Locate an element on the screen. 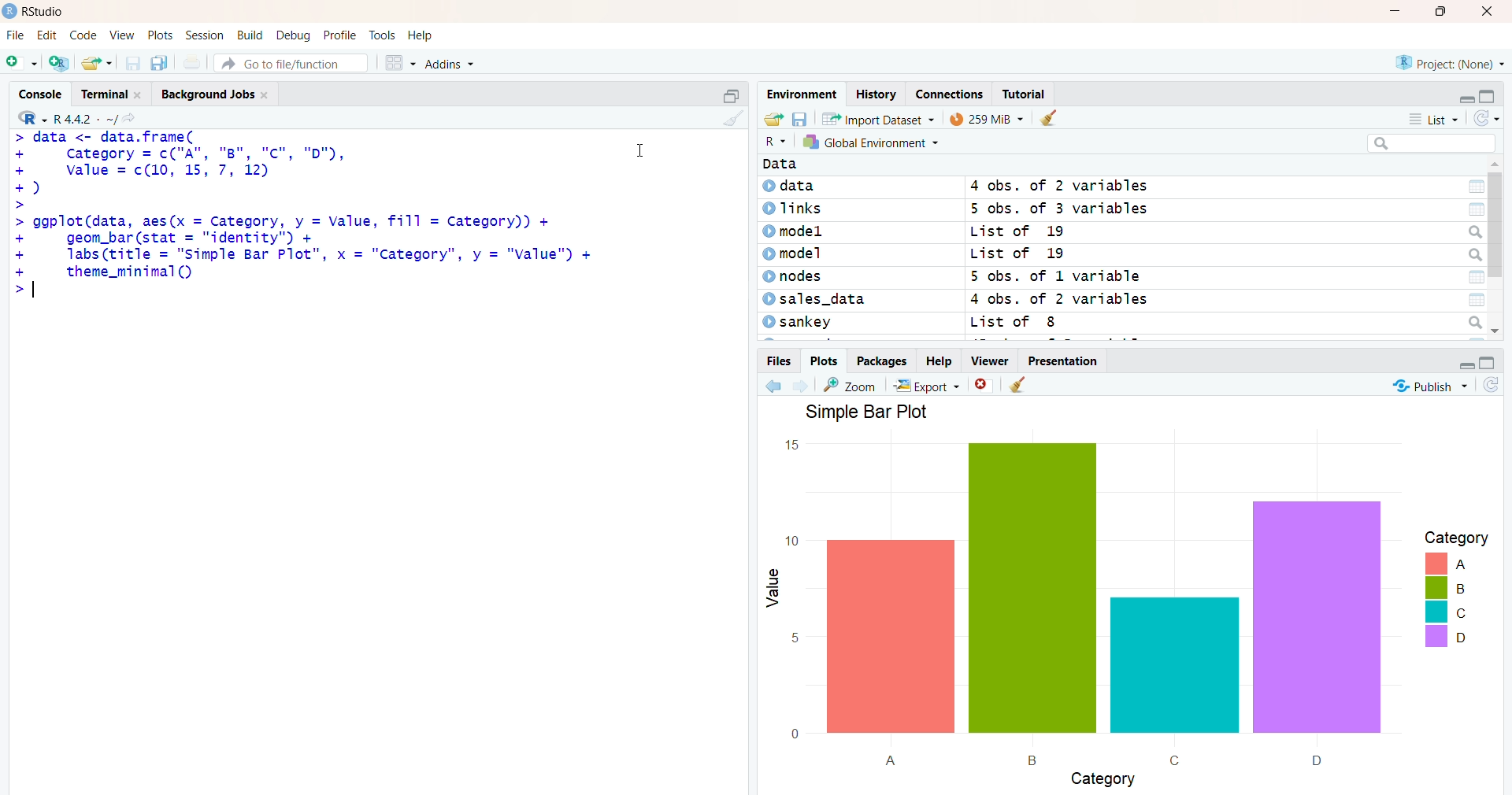  plots is located at coordinates (162, 35).